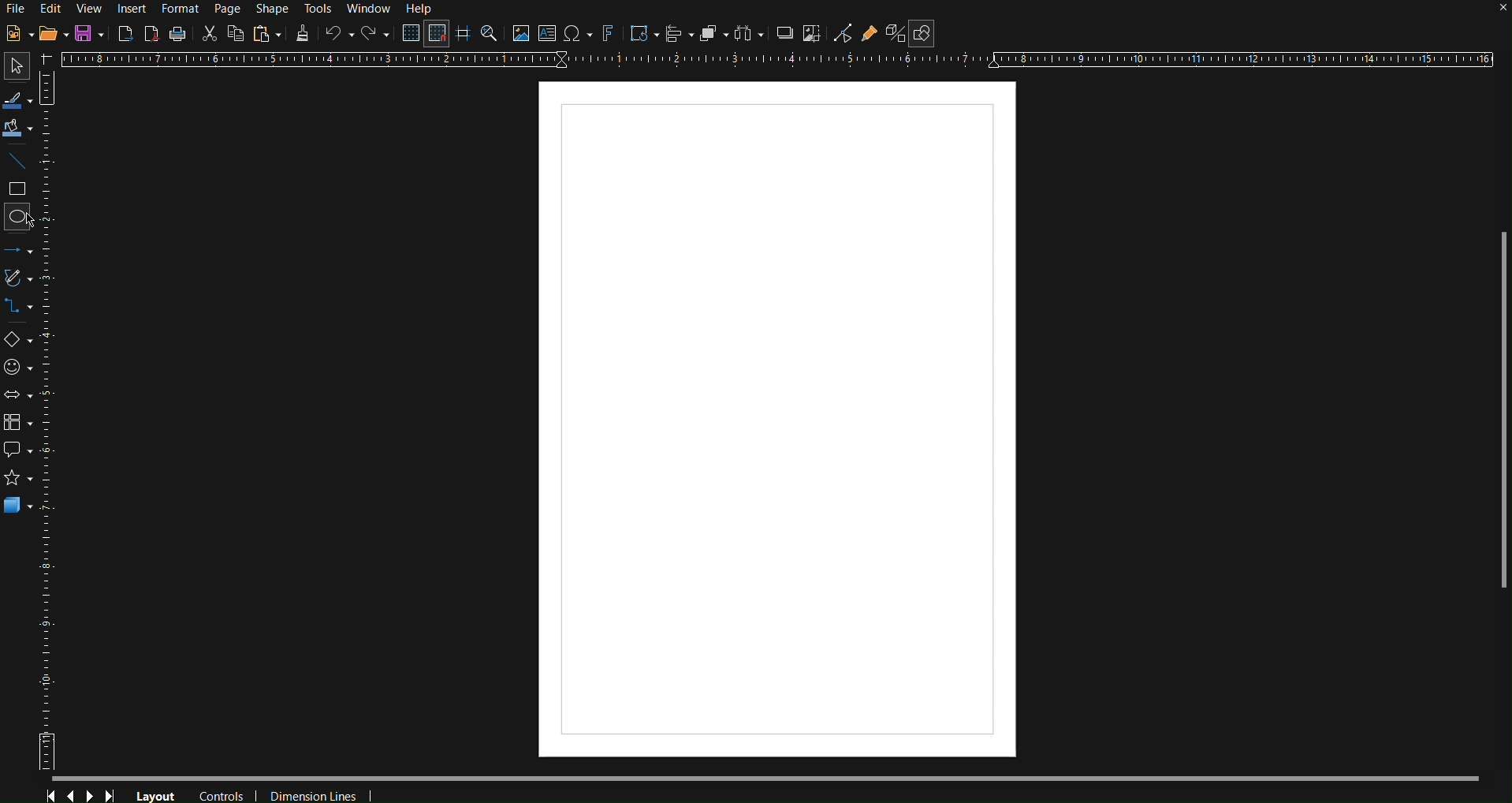 This screenshot has height=803, width=1512. Describe the element at coordinates (91, 9) in the screenshot. I see `View` at that location.